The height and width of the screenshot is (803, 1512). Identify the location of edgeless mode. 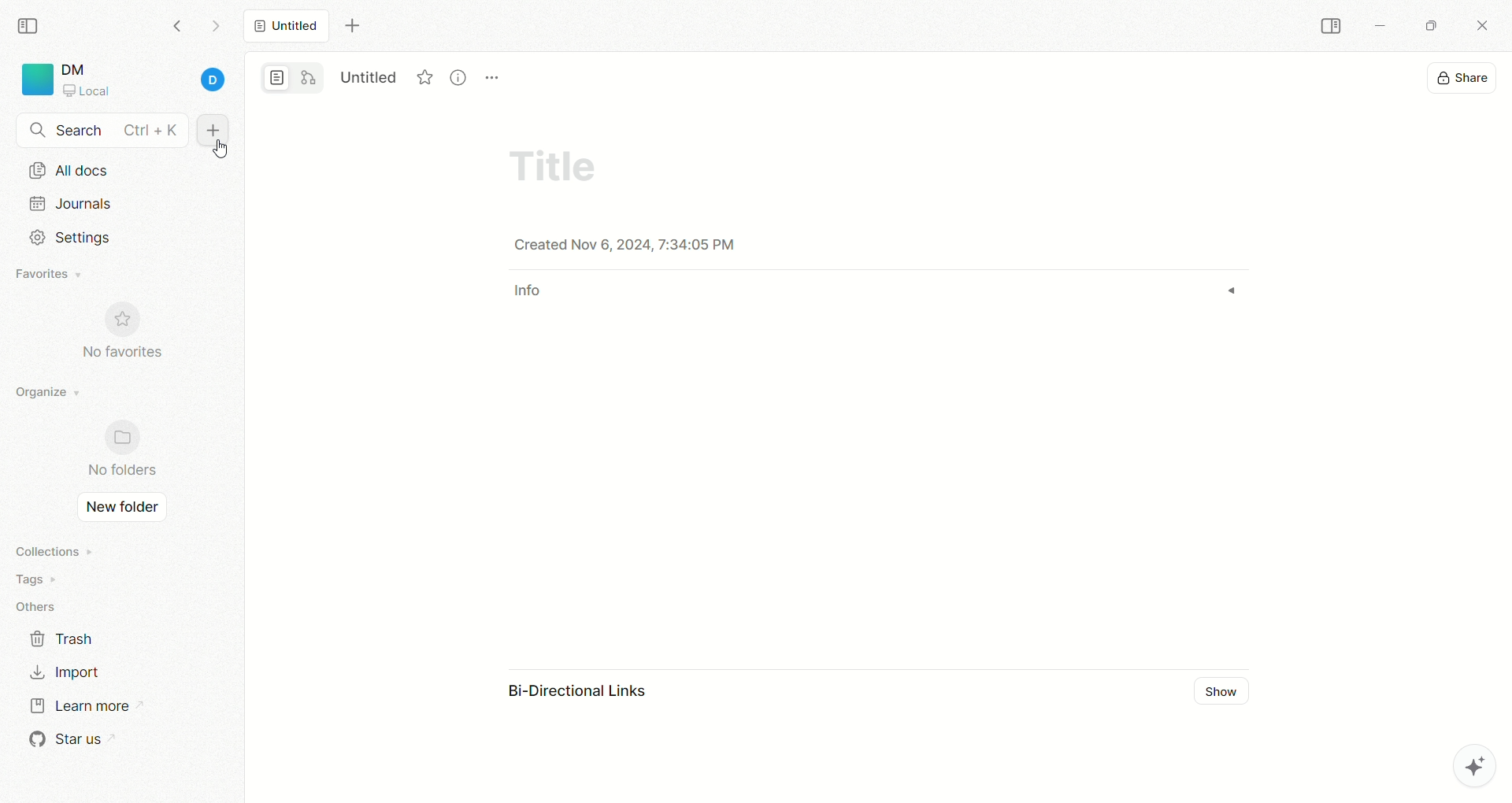
(309, 77).